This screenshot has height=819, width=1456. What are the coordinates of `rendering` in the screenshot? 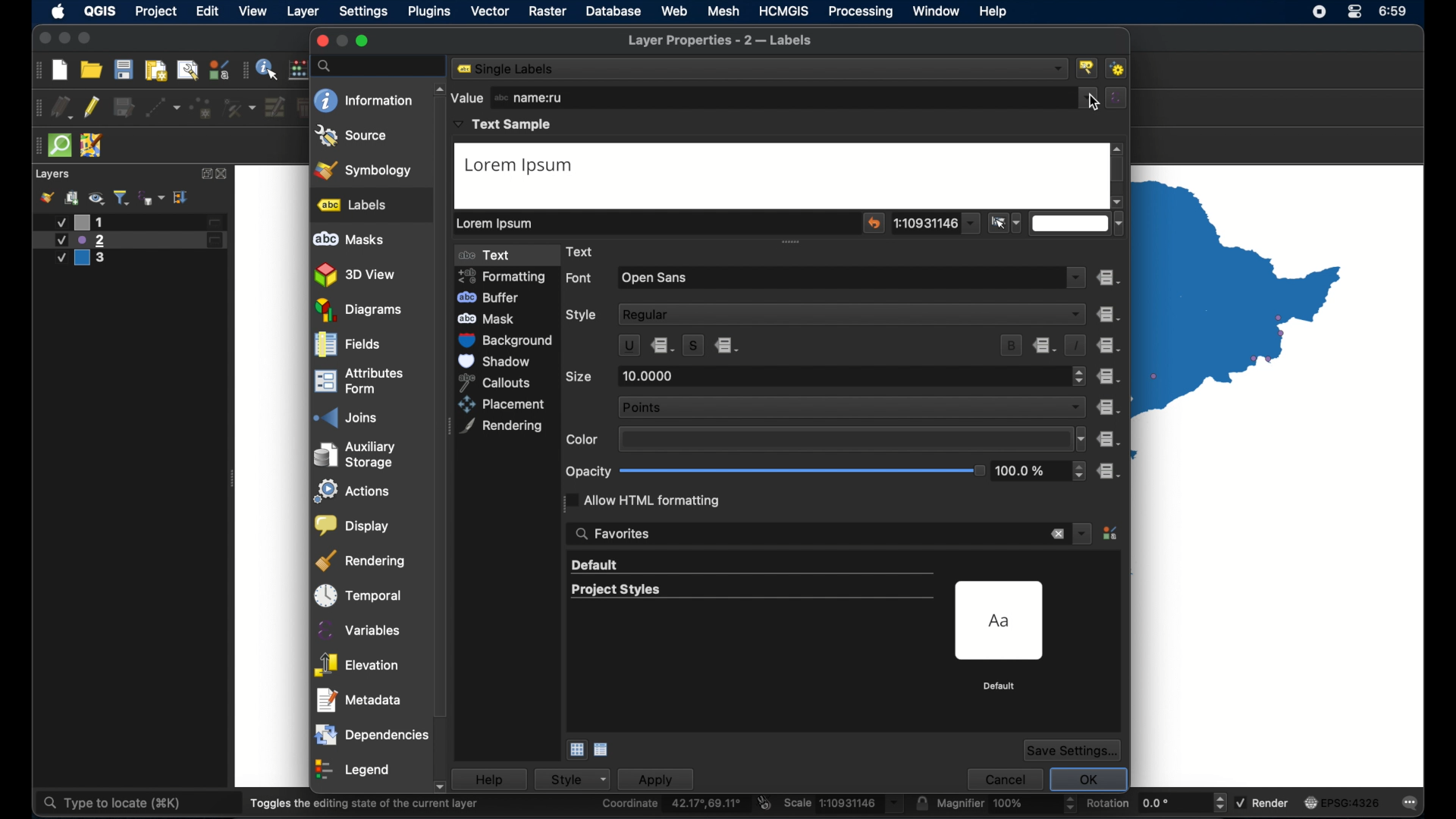 It's located at (361, 557).